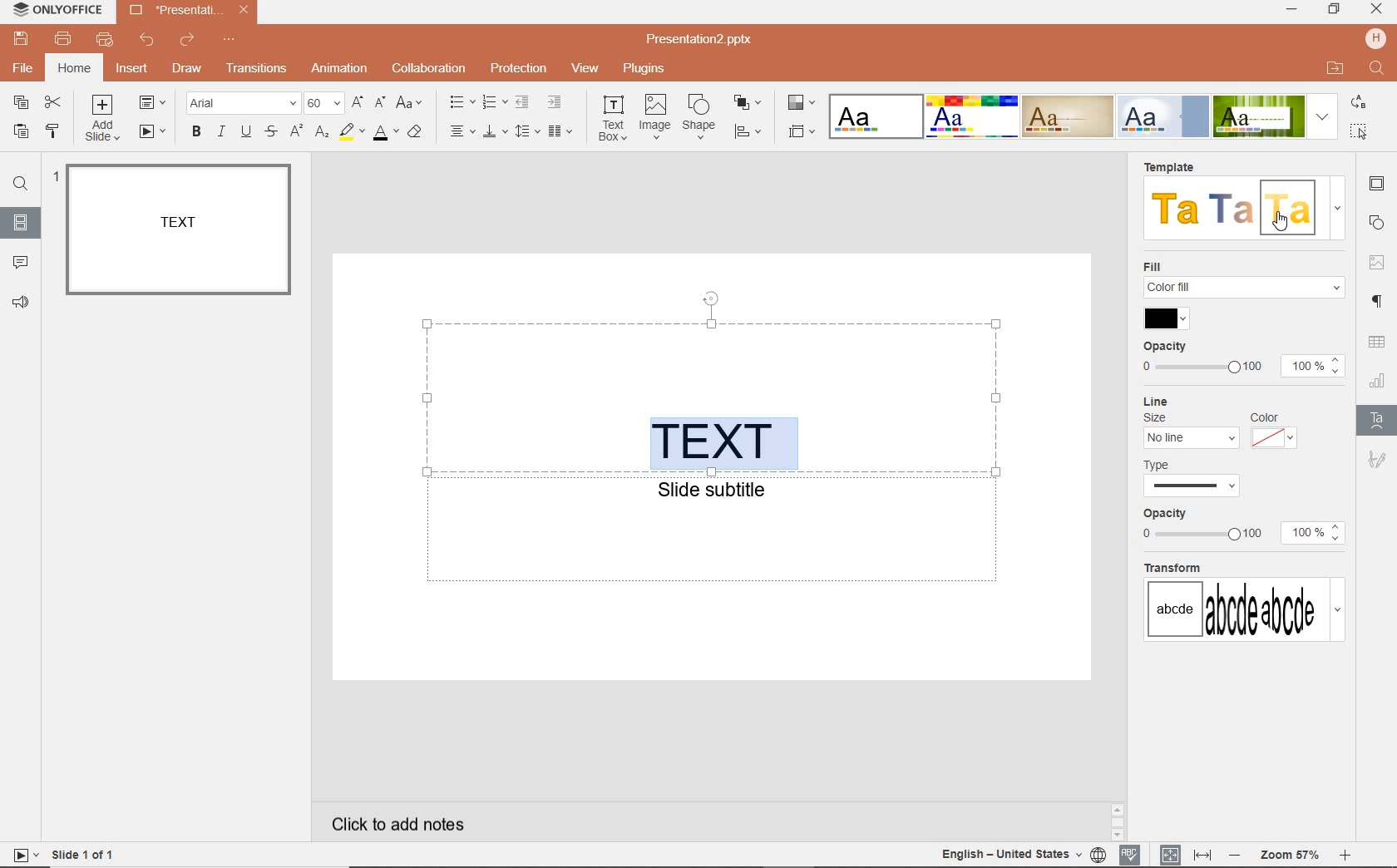 The width and height of the screenshot is (1397, 868). I want to click on IMAGE SETTINGS, so click(1379, 259).